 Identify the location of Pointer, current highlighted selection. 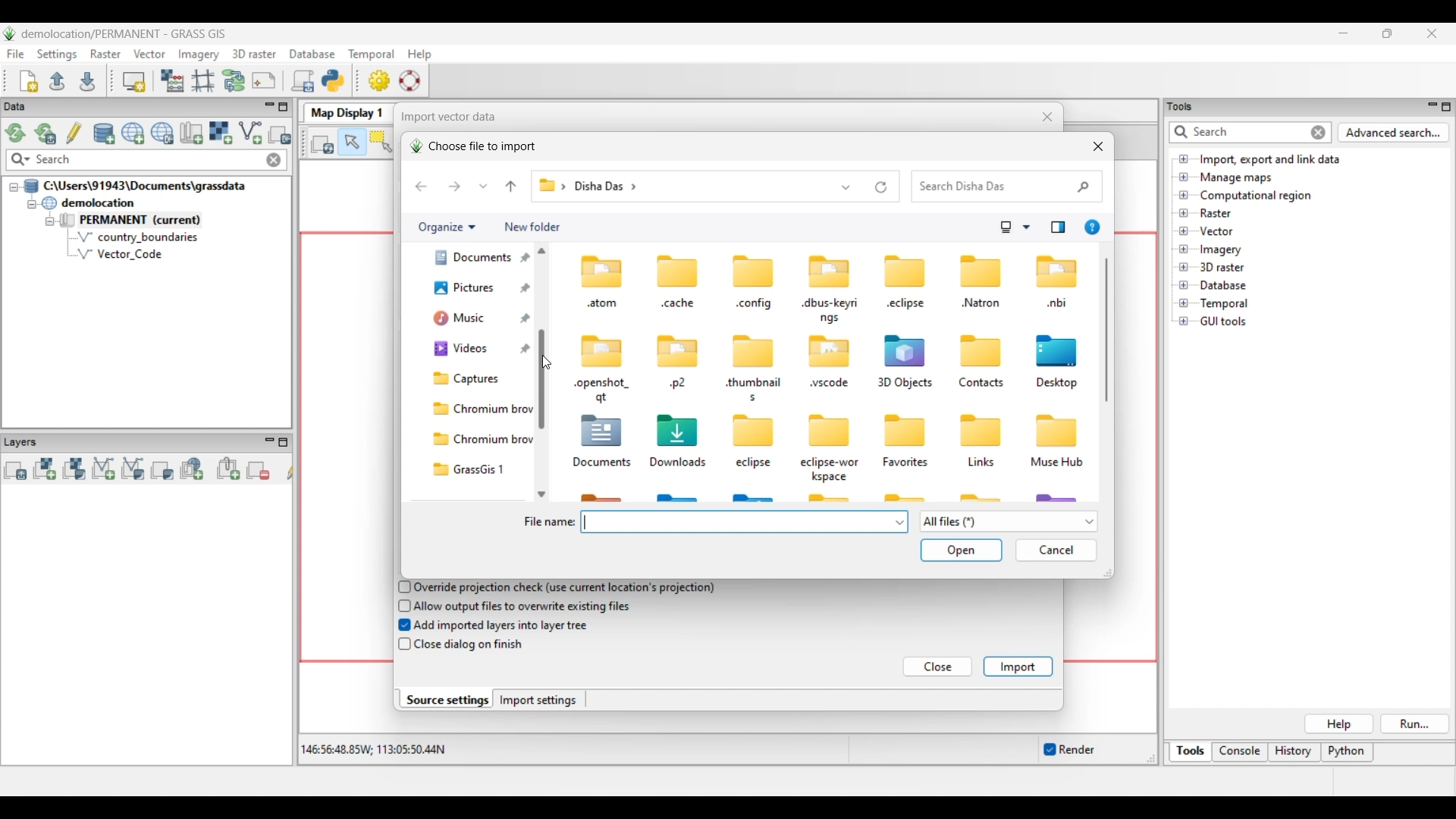
(352, 143).